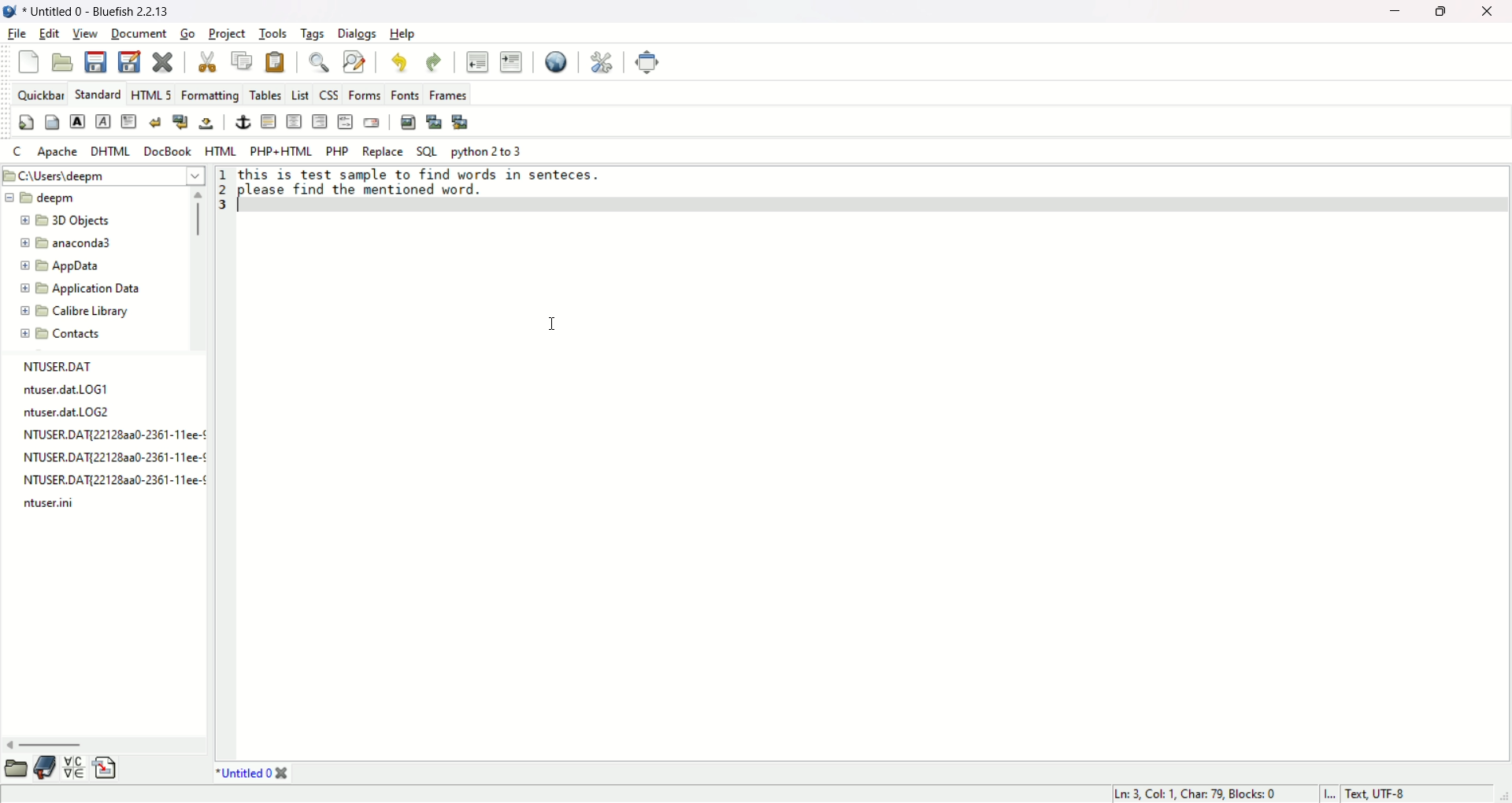 Image resolution: width=1512 pixels, height=803 pixels. I want to click on emphasis, so click(104, 122).